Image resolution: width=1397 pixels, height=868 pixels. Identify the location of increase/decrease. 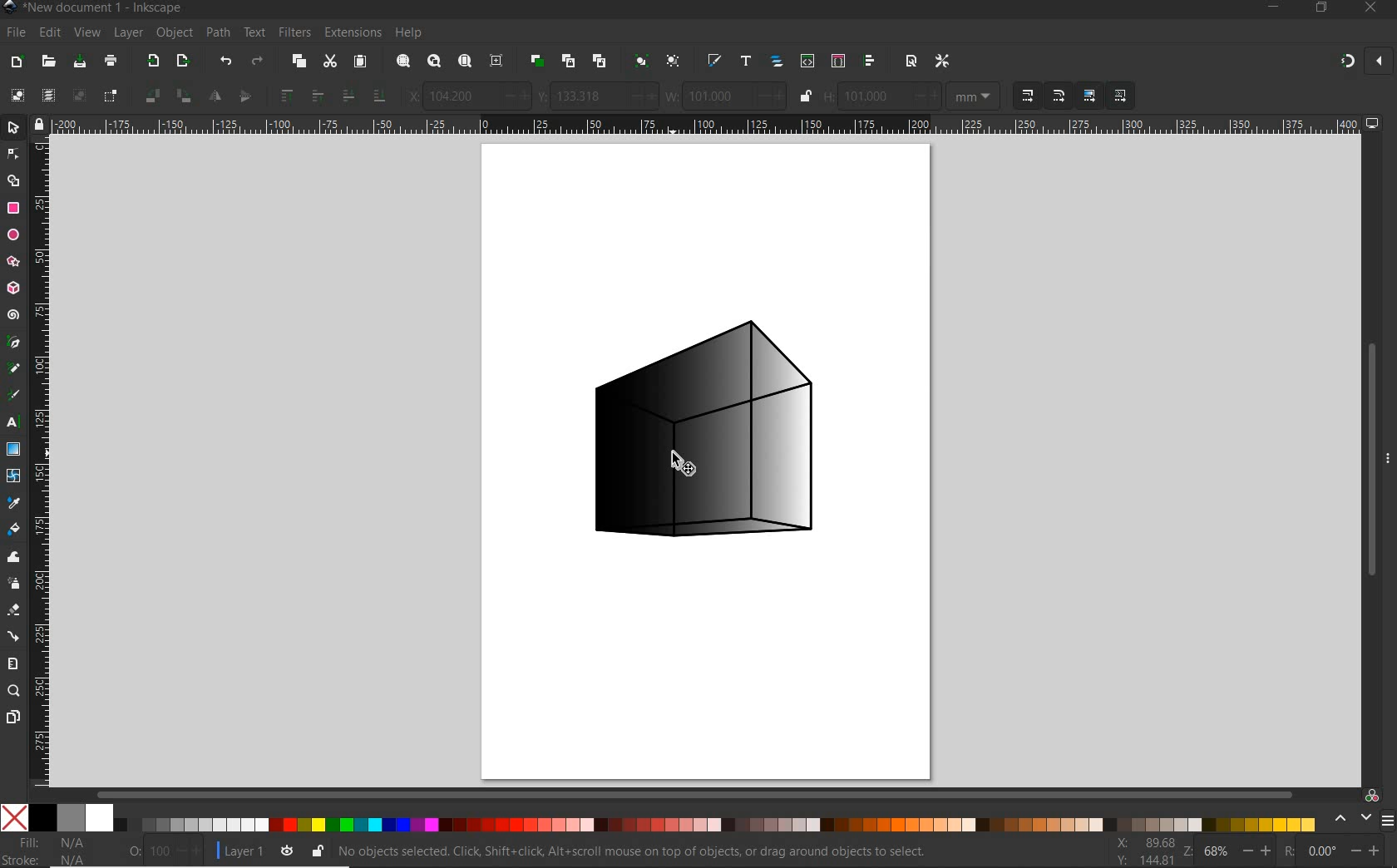
(772, 96).